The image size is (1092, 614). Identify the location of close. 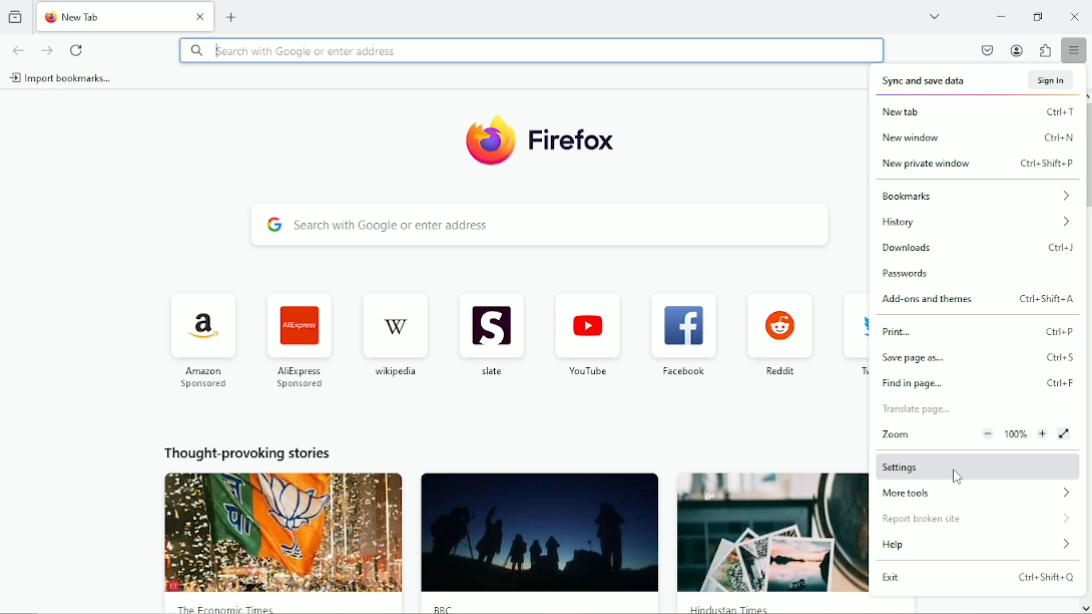
(201, 15).